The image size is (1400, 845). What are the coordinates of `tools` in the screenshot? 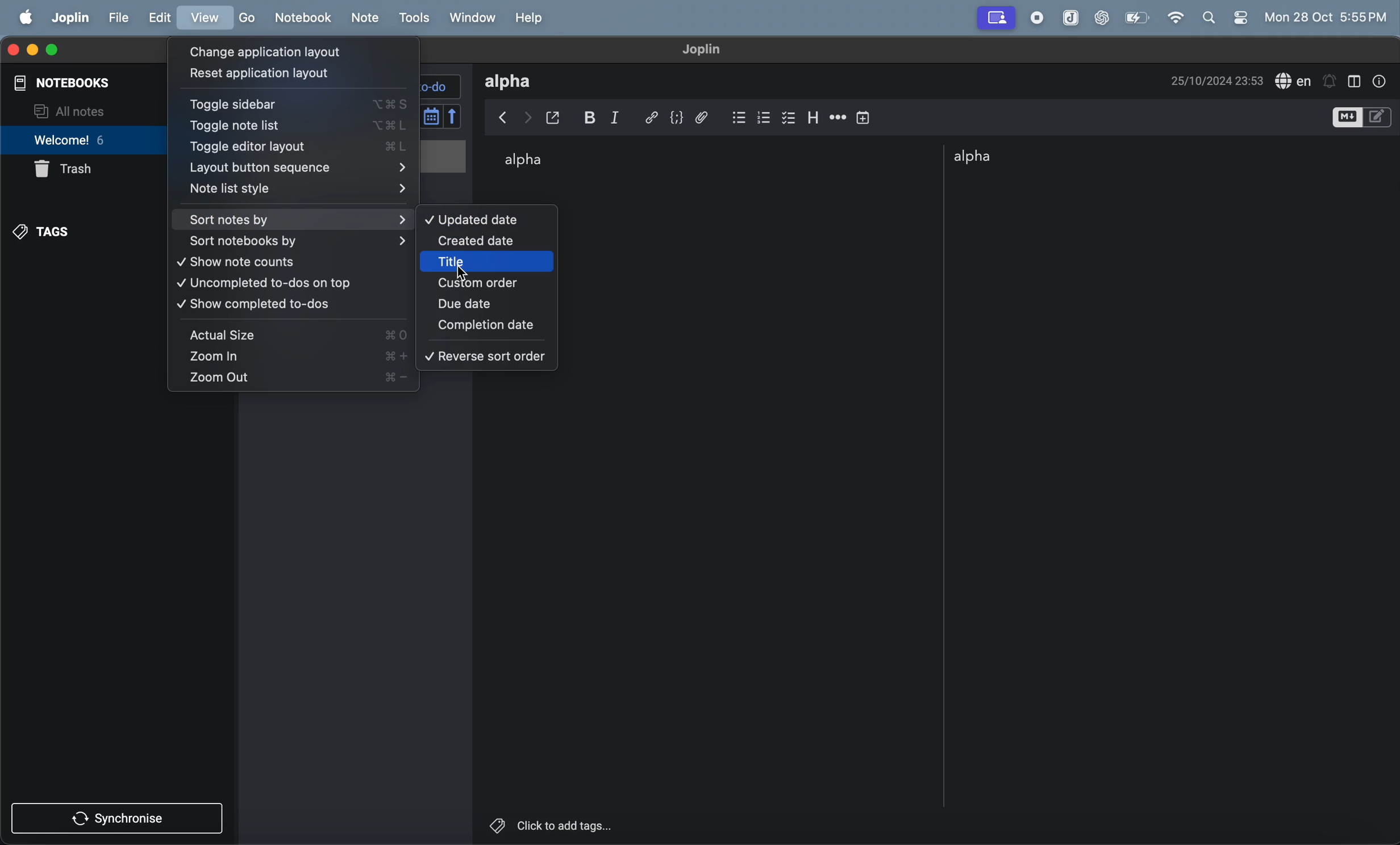 It's located at (418, 18).